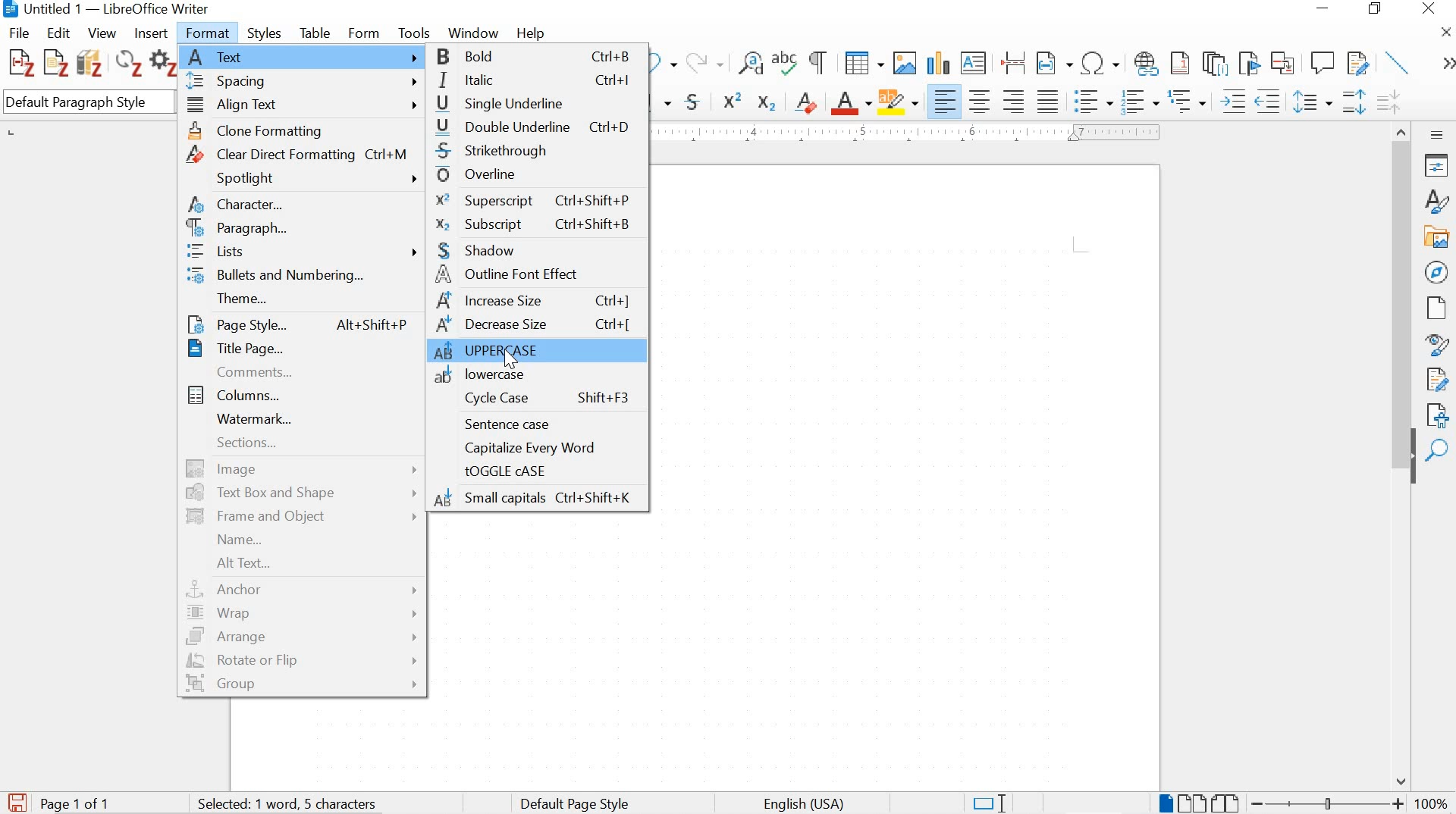 This screenshot has height=814, width=1456. I want to click on move up, so click(1403, 129).